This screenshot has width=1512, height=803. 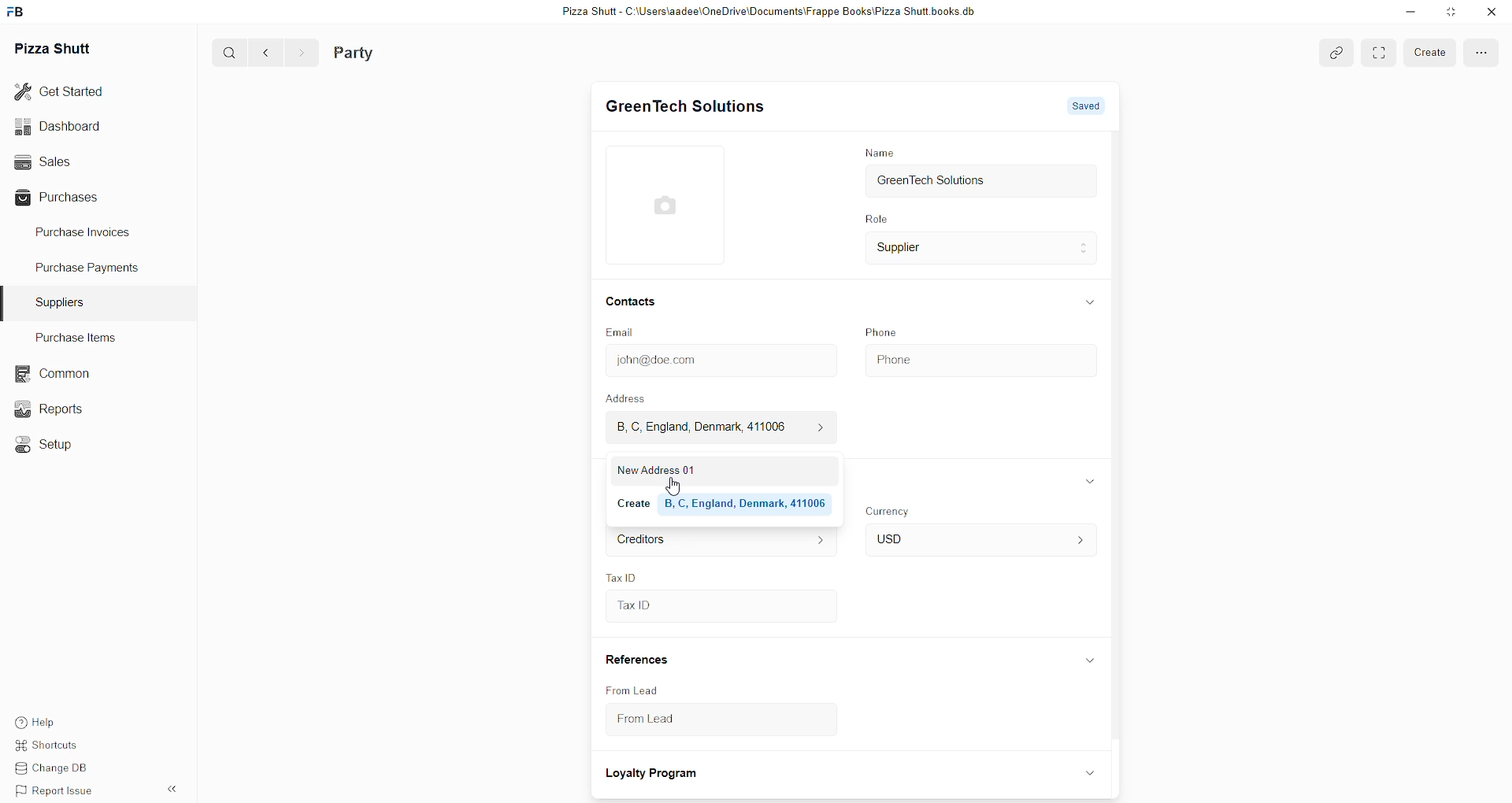 What do you see at coordinates (884, 331) in the screenshot?
I see `Phone` at bounding box center [884, 331].